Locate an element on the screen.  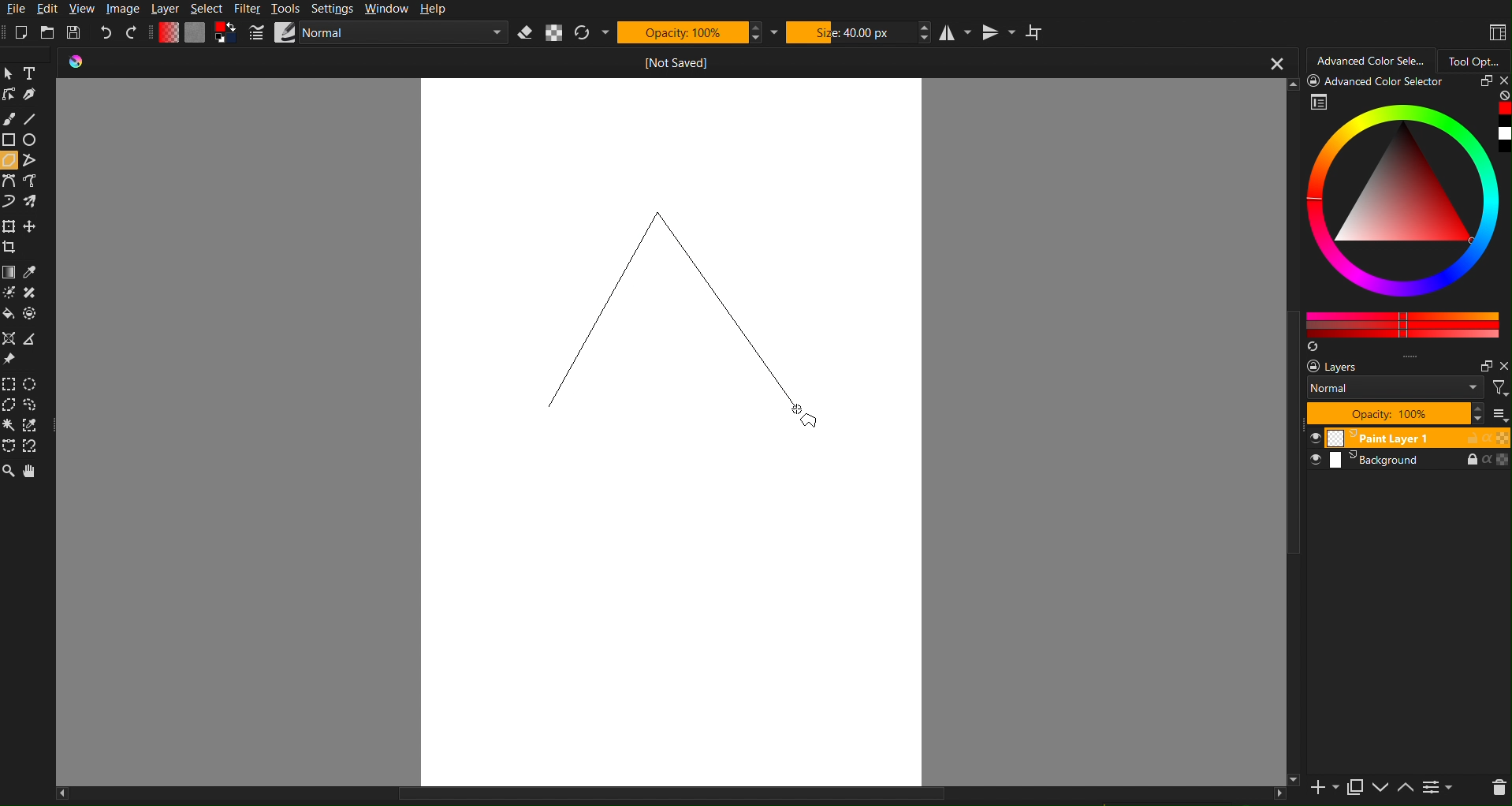
scroll bar is located at coordinates (670, 797).